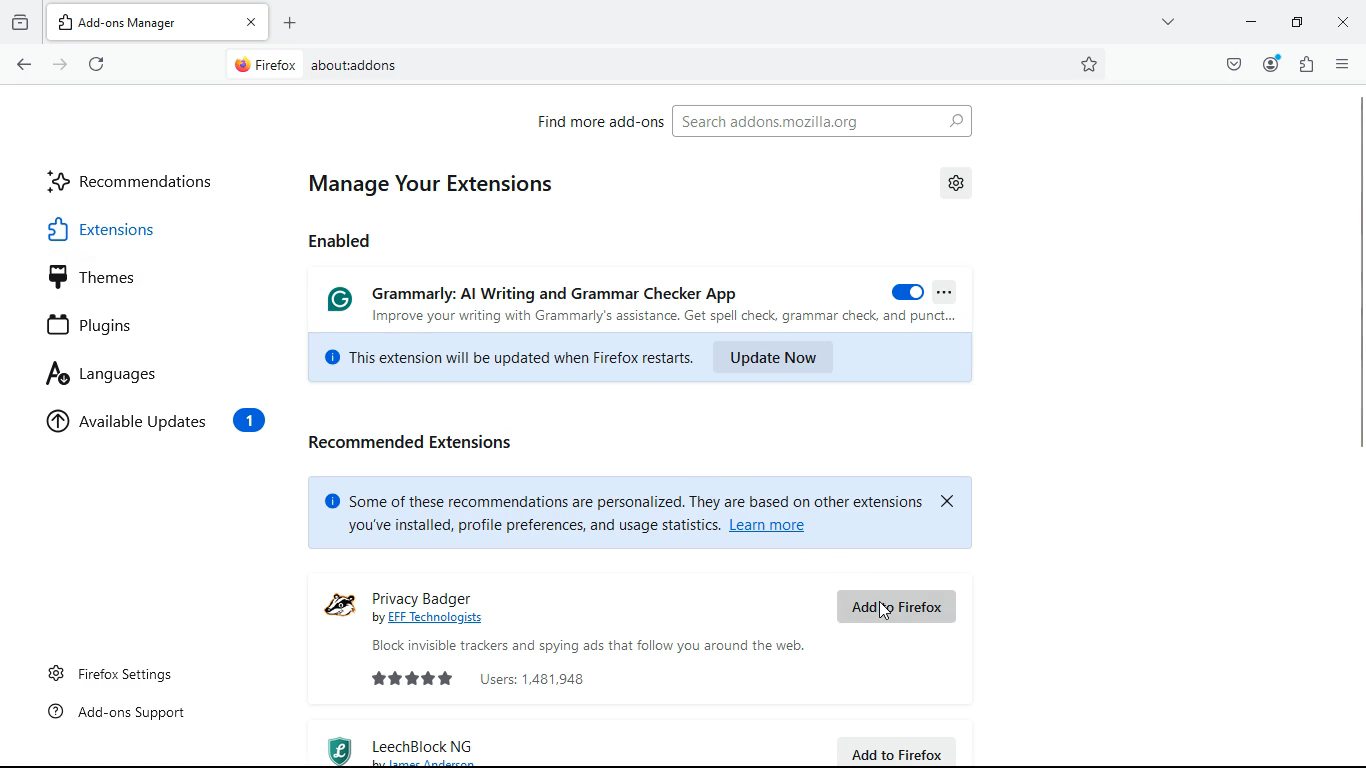  What do you see at coordinates (342, 749) in the screenshot?
I see `logo` at bounding box center [342, 749].